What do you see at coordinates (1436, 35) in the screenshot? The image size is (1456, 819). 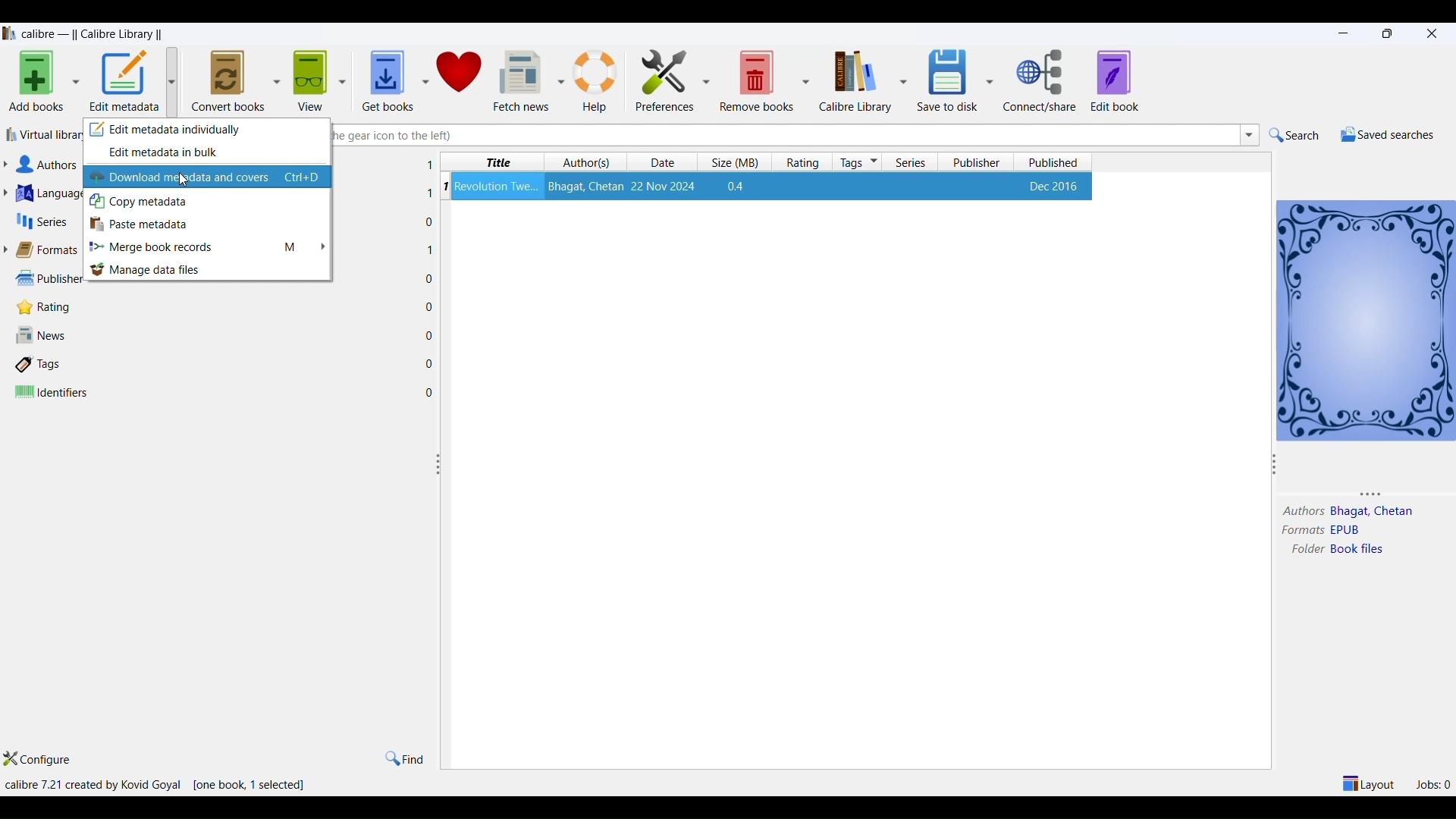 I see `close` at bounding box center [1436, 35].